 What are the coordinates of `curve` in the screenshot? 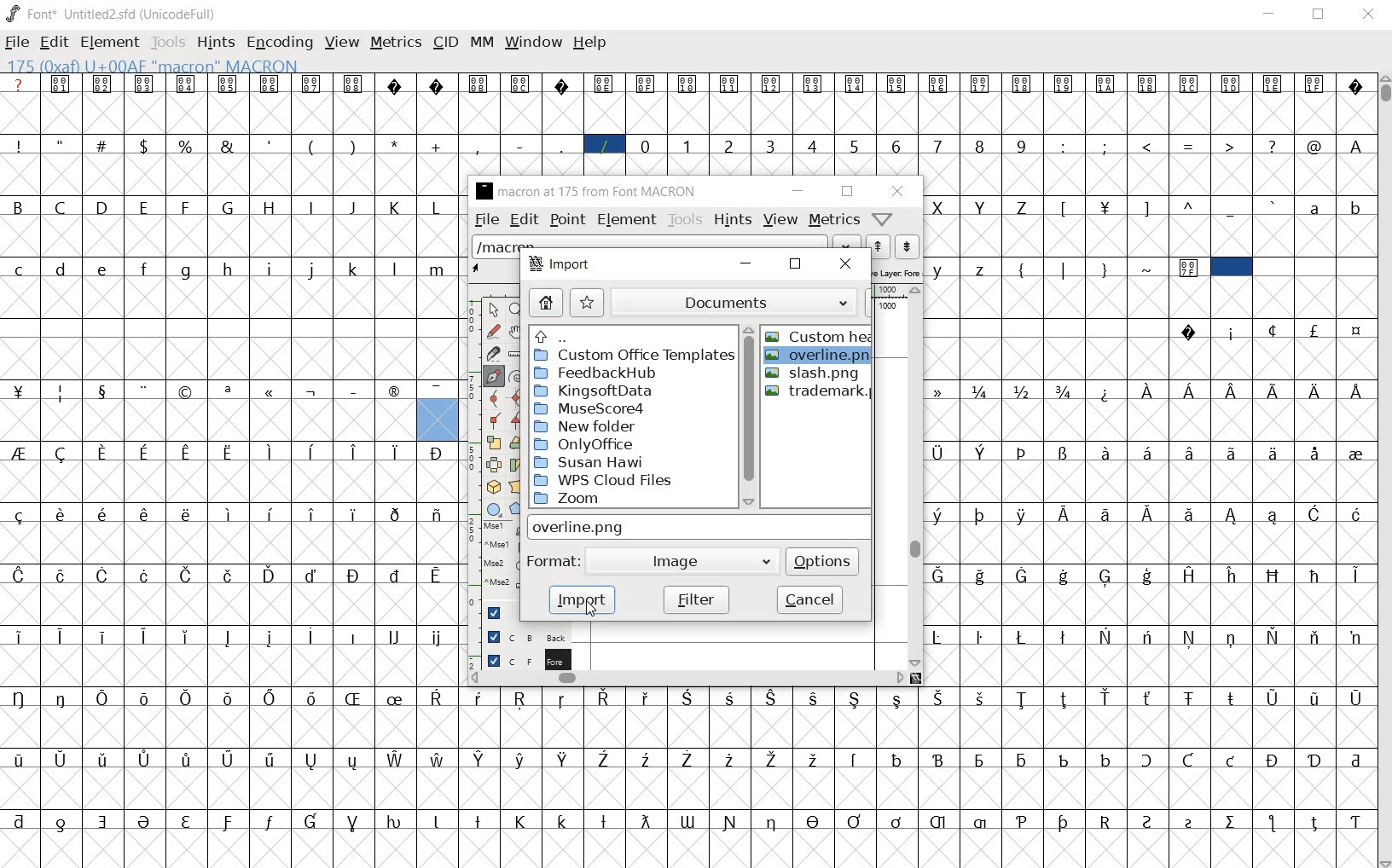 It's located at (490, 398).